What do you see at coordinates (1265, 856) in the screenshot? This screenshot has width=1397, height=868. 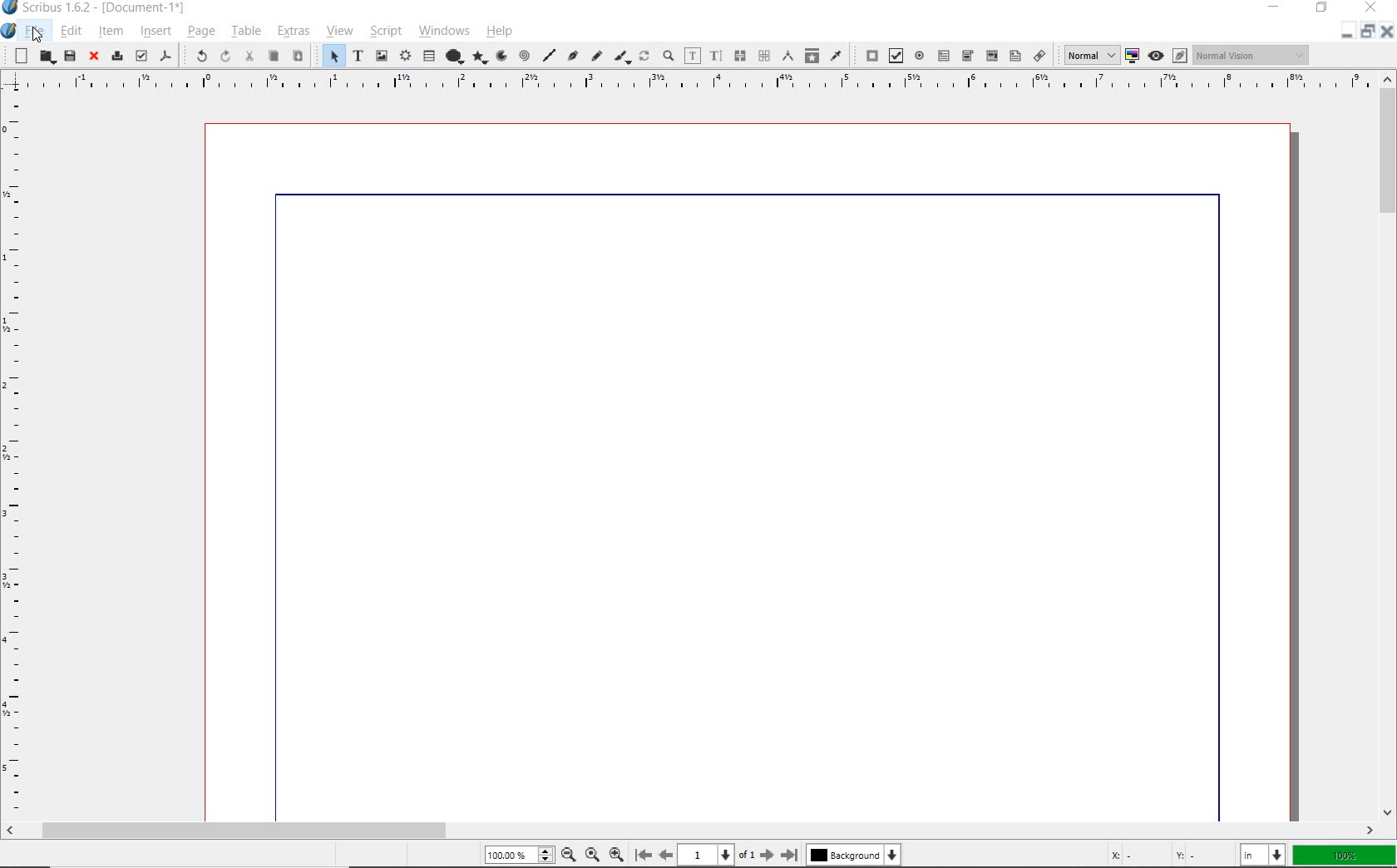 I see `select unit: in` at bounding box center [1265, 856].